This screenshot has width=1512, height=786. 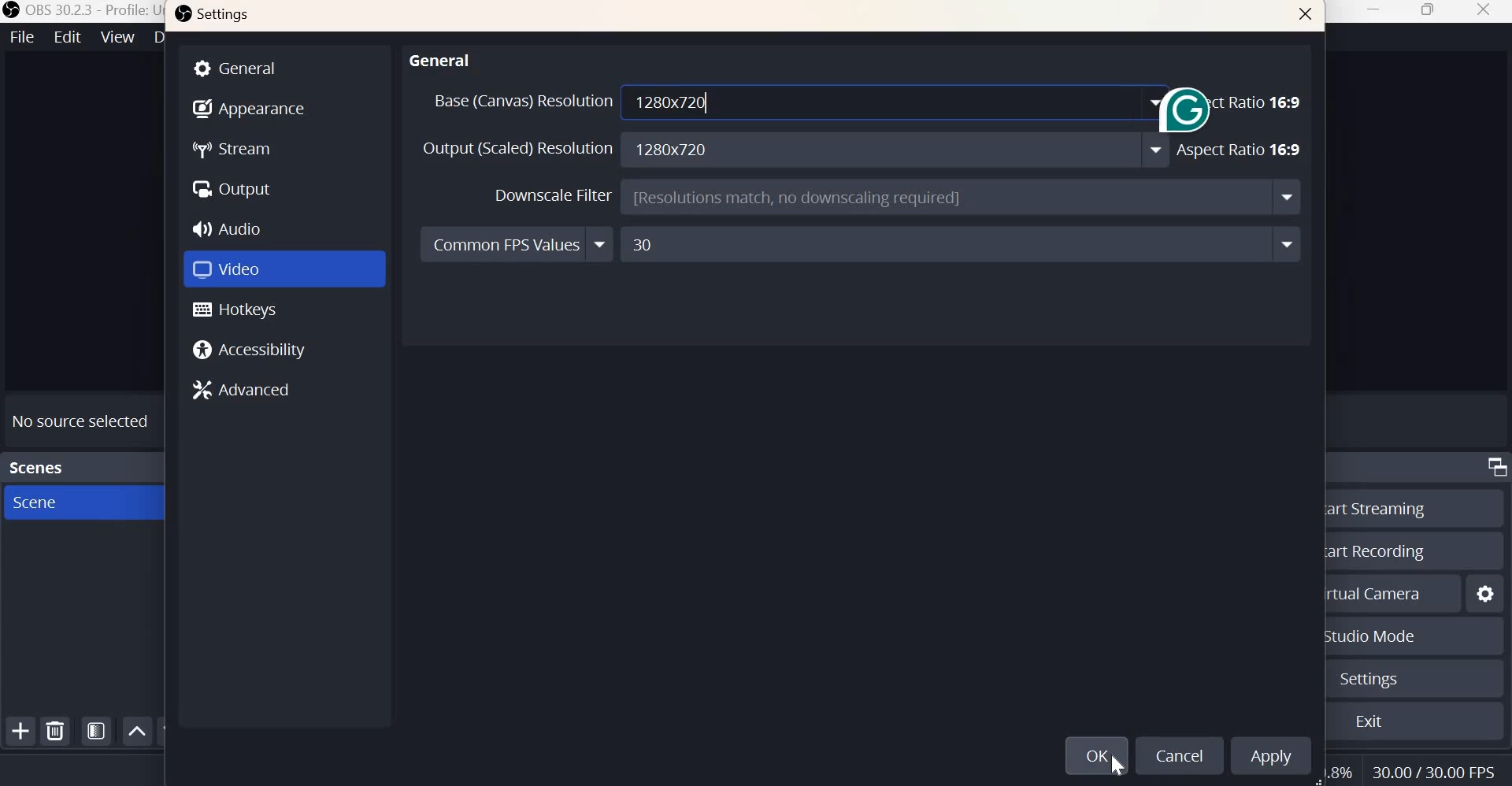 I want to click on Aspect Ratio 16:9, so click(x=1240, y=150).